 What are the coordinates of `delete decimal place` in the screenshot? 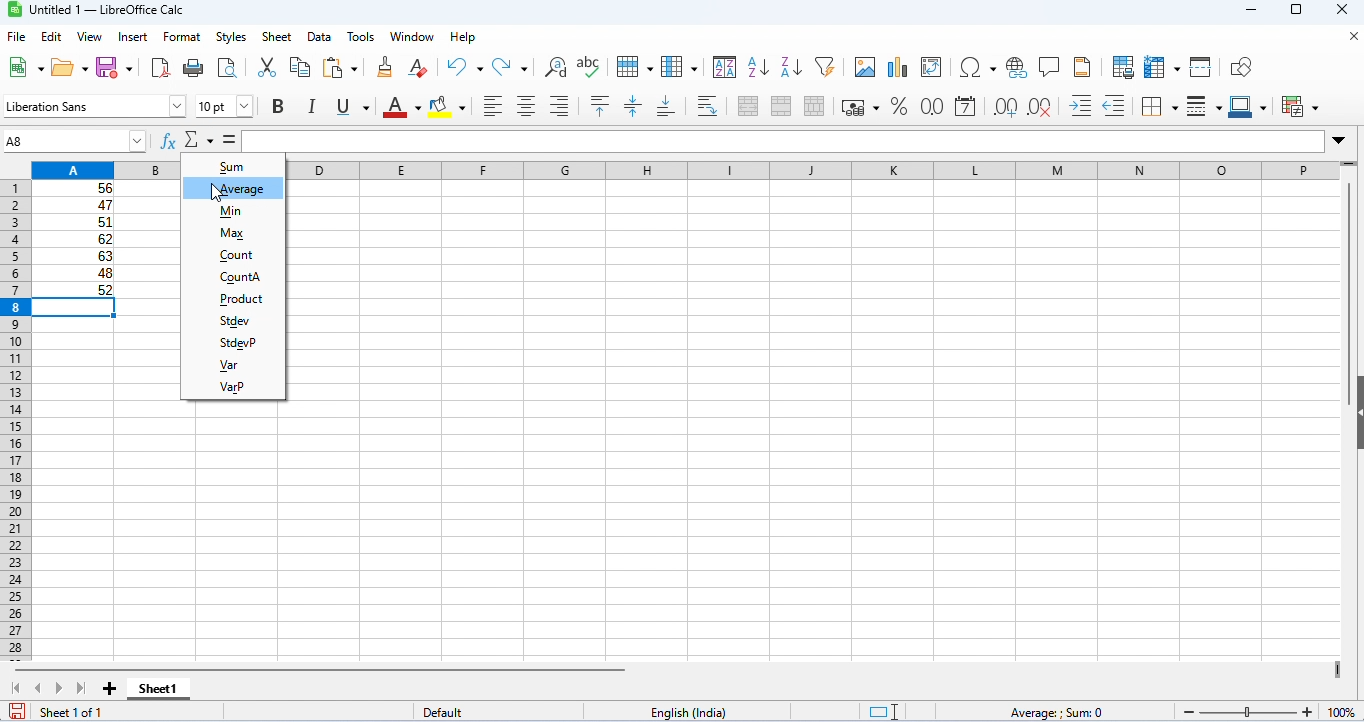 It's located at (1039, 107).